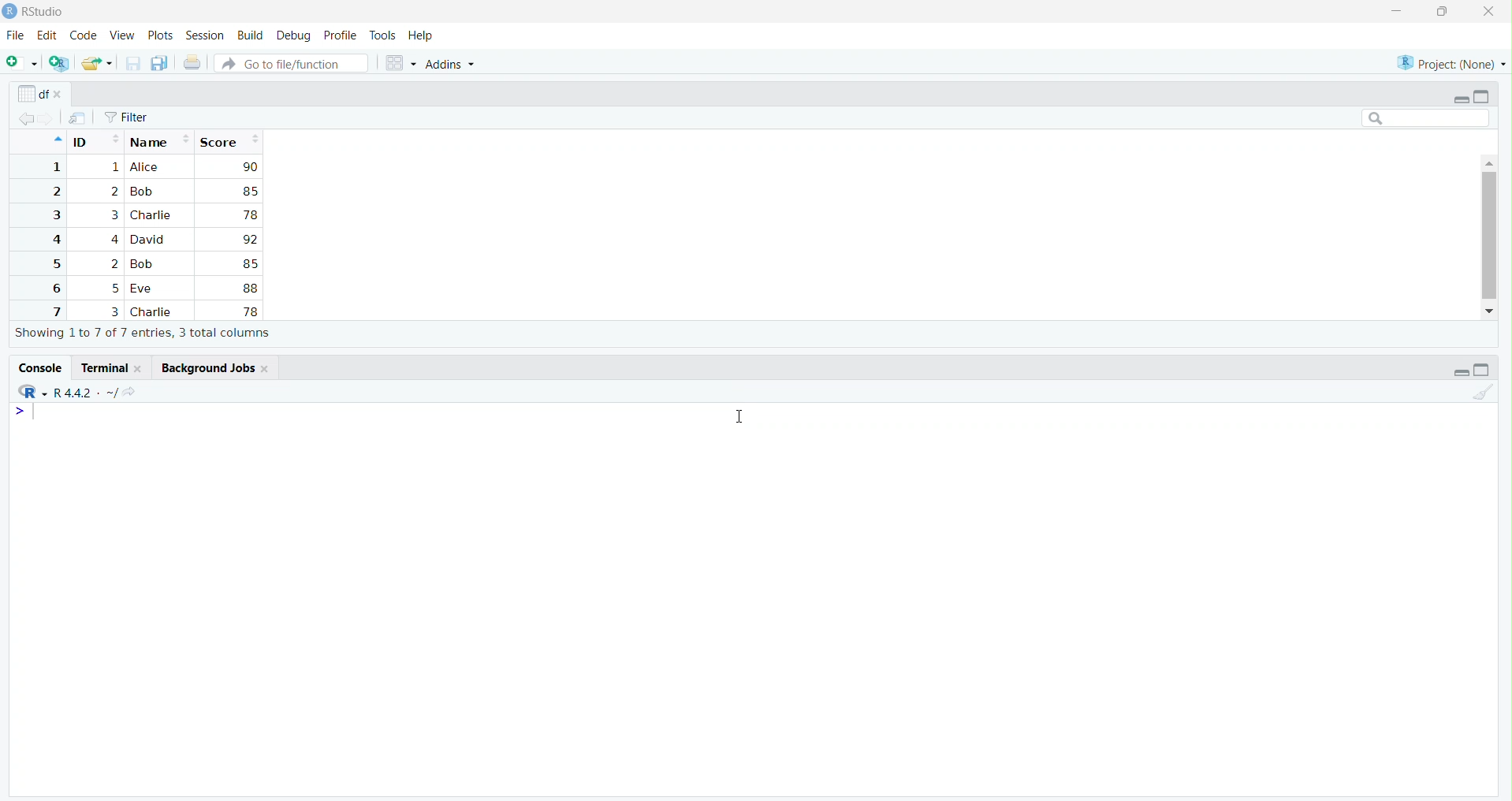  Describe the element at coordinates (54, 215) in the screenshot. I see `3` at that location.